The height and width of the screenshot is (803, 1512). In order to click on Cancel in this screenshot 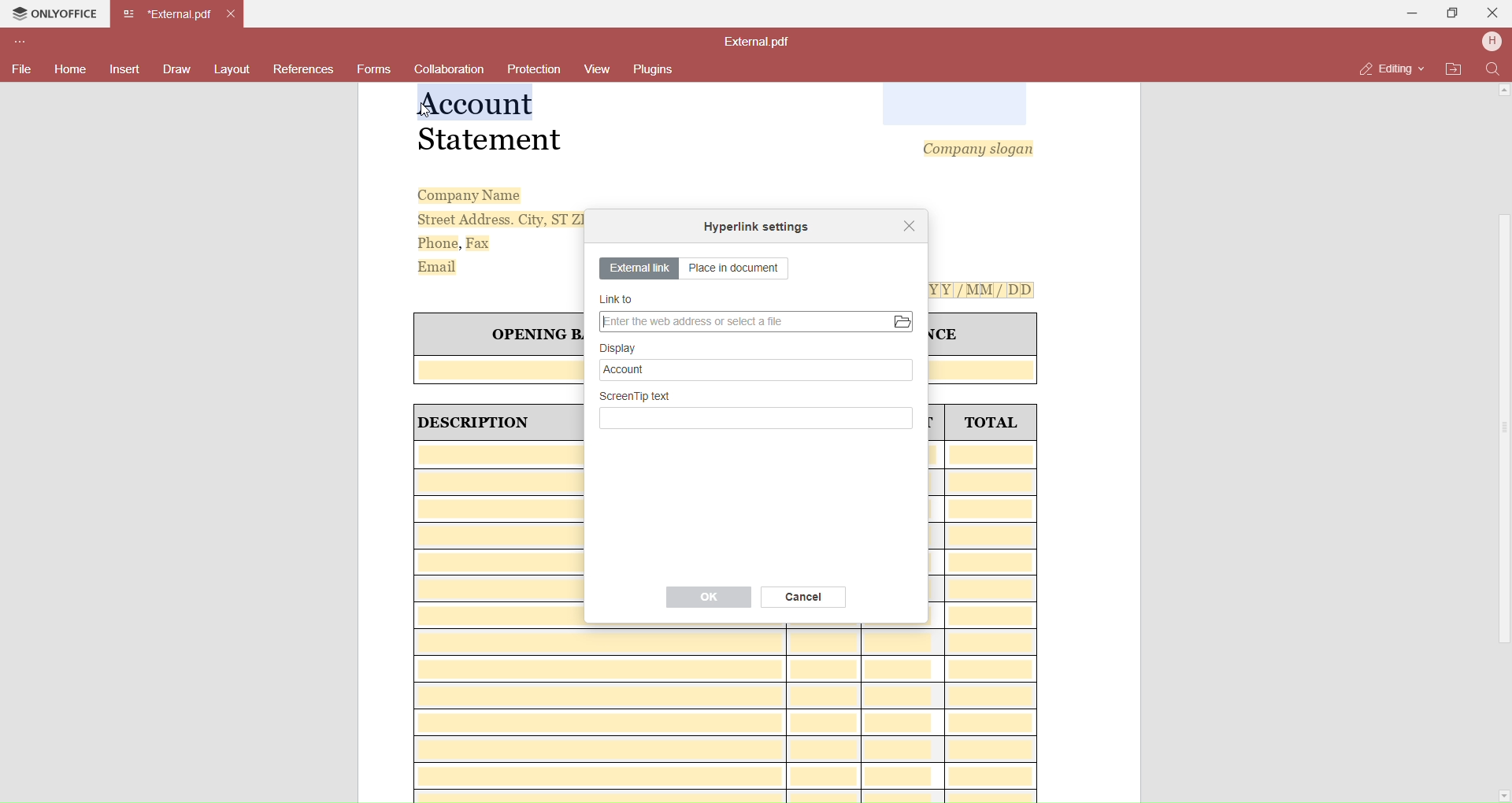, I will do `click(803, 595)`.